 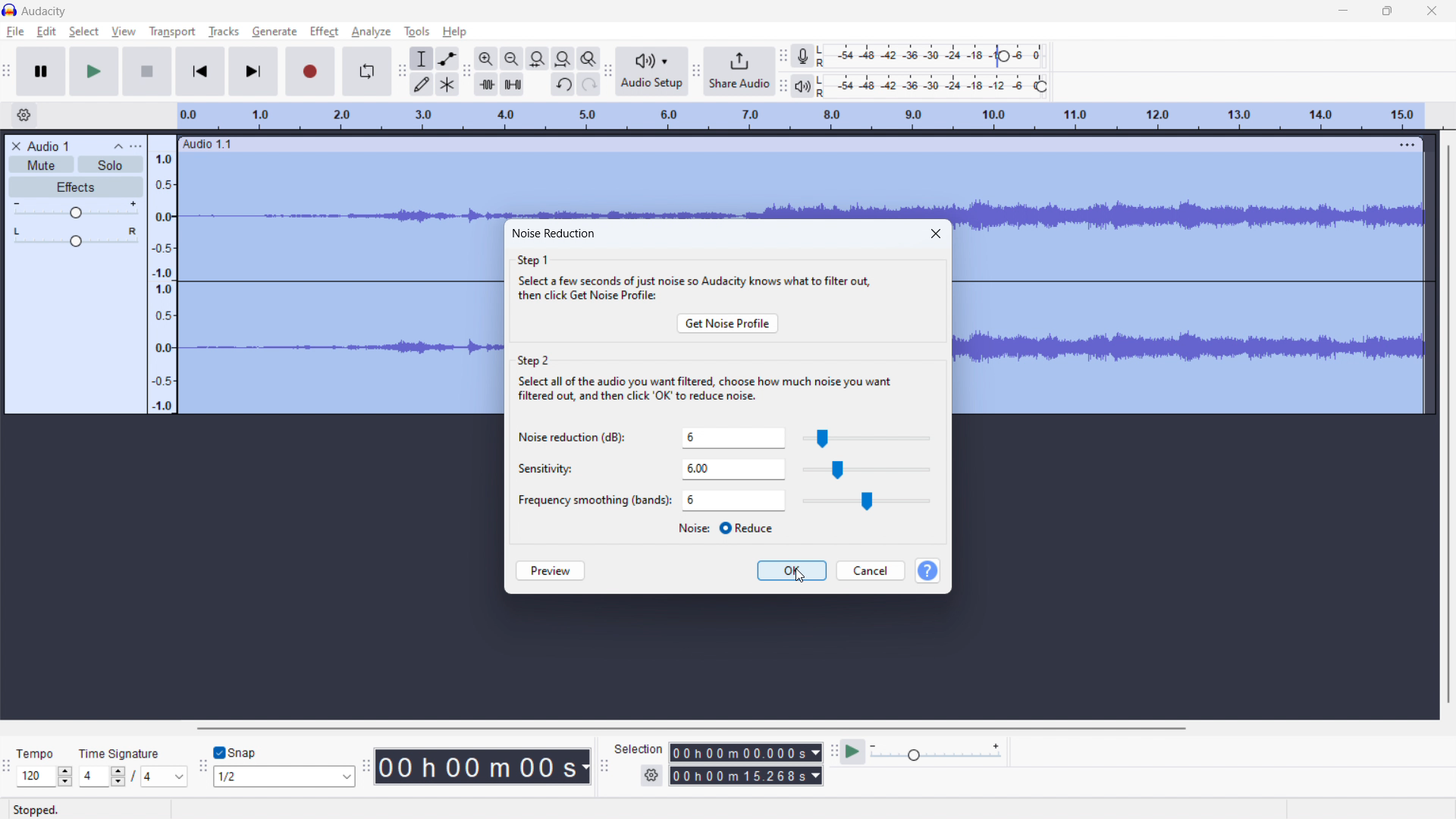 What do you see at coordinates (651, 776) in the screenshot?
I see `settings` at bounding box center [651, 776].